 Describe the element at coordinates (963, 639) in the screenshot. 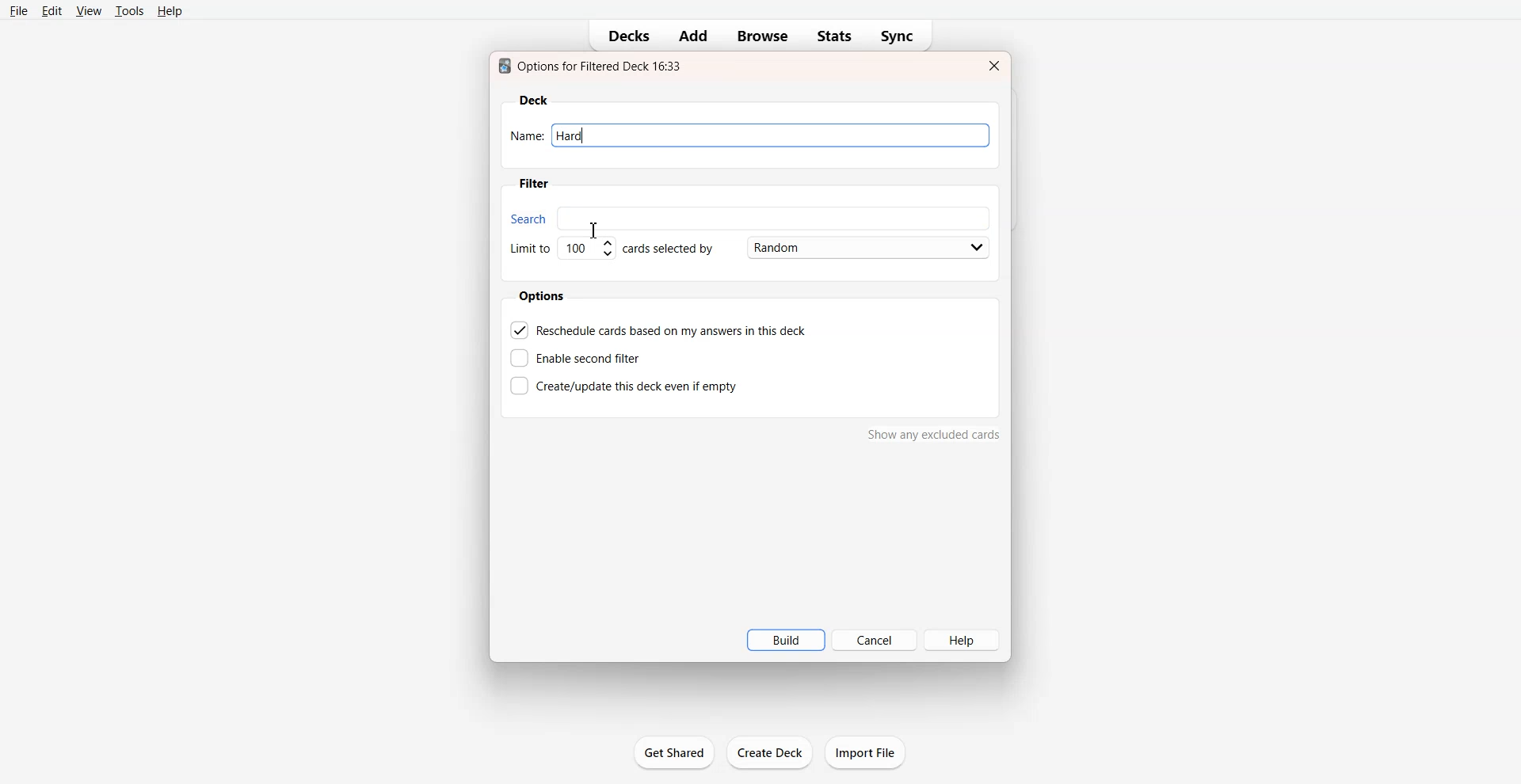

I see `Help` at that location.